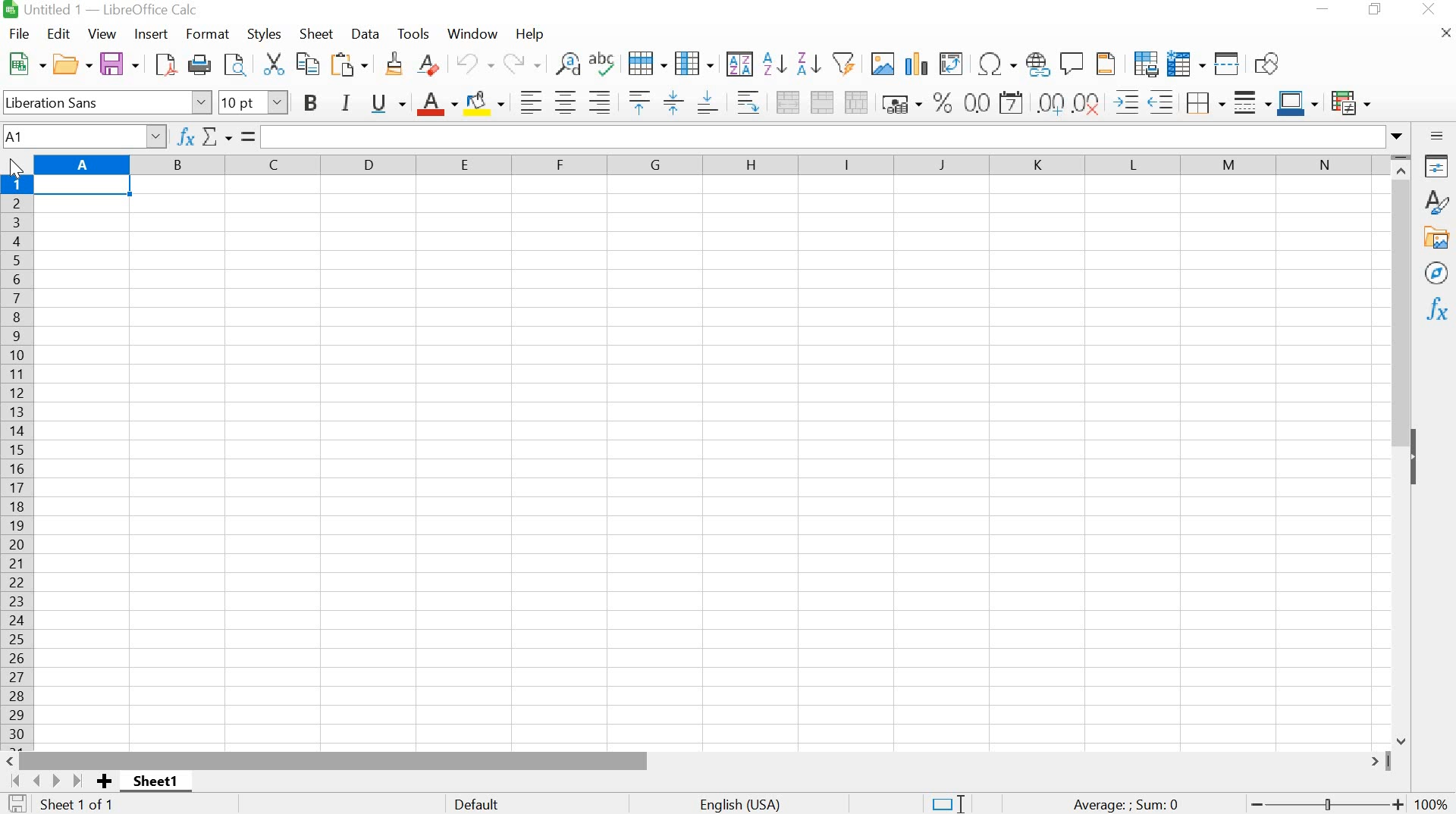 The width and height of the screenshot is (1456, 814). Describe the element at coordinates (1162, 100) in the screenshot. I see `Decrease Indent` at that location.